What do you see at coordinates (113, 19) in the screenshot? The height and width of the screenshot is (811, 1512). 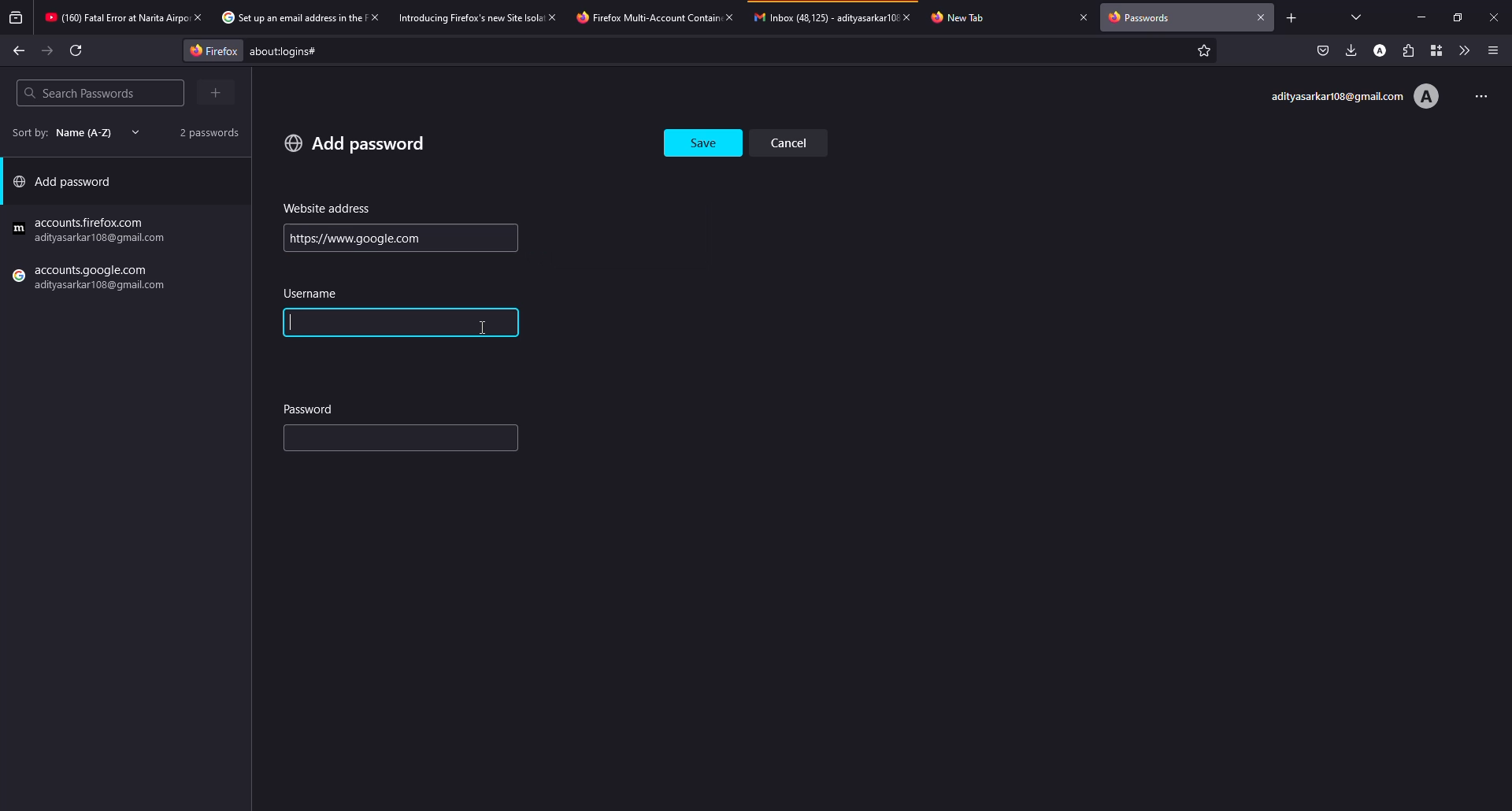 I see `tab` at bounding box center [113, 19].